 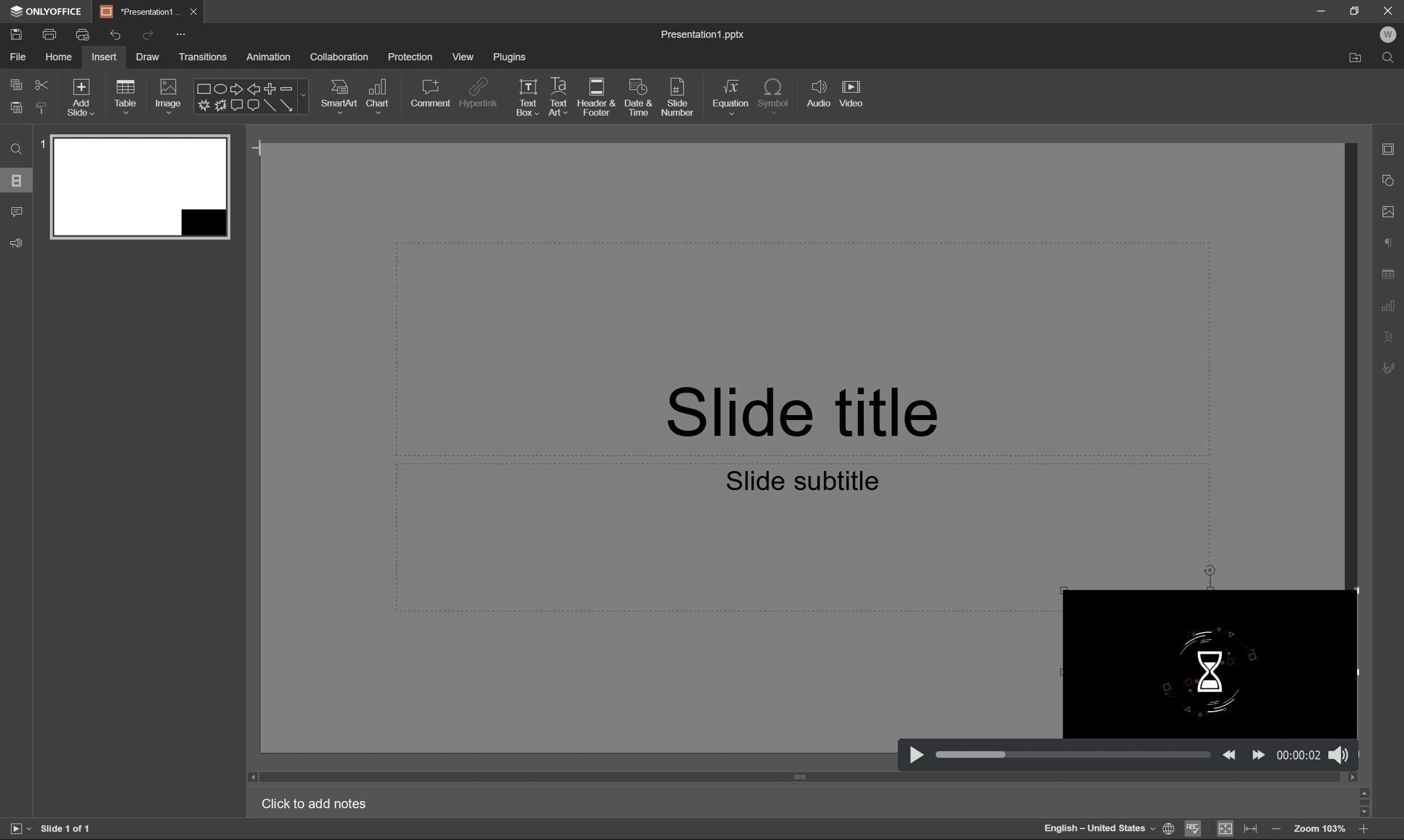 What do you see at coordinates (262, 151) in the screenshot?
I see `Cursor` at bounding box center [262, 151].